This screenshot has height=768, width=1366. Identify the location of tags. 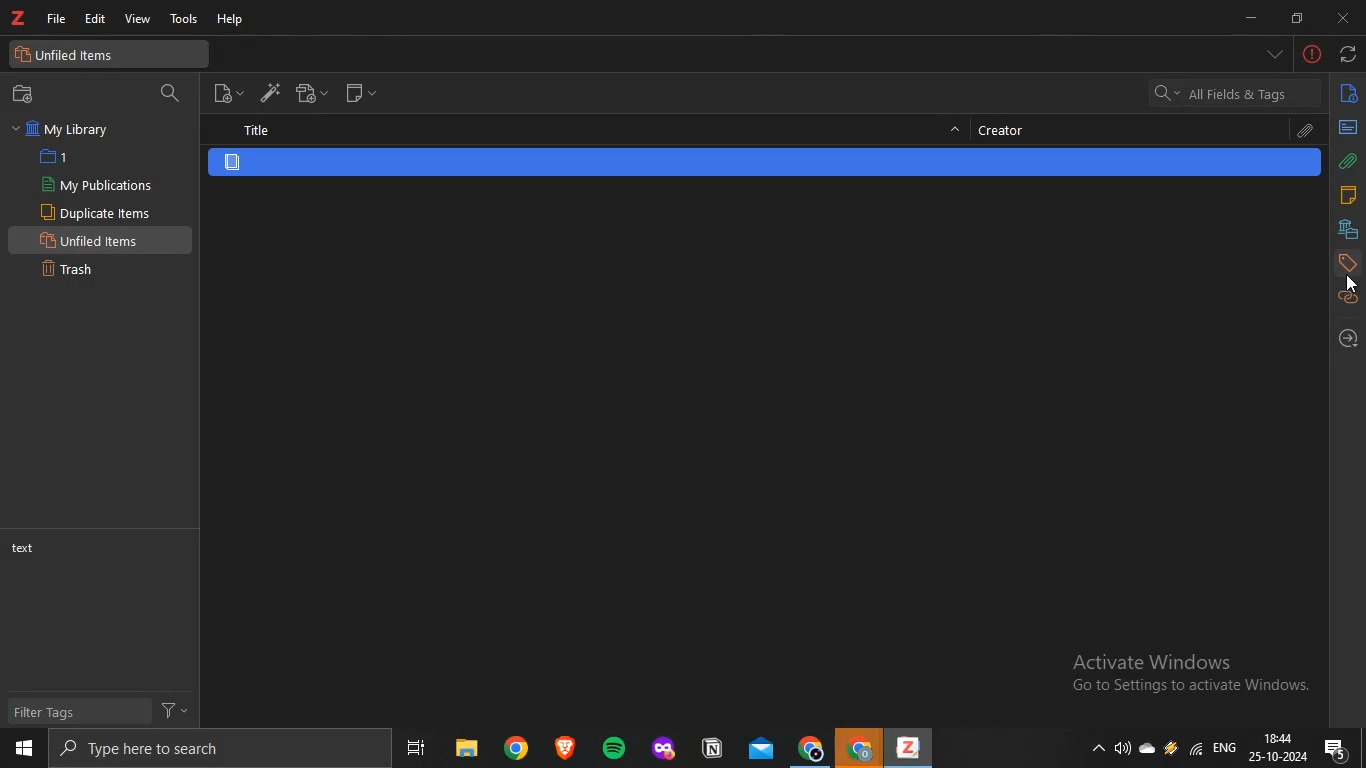
(1347, 264).